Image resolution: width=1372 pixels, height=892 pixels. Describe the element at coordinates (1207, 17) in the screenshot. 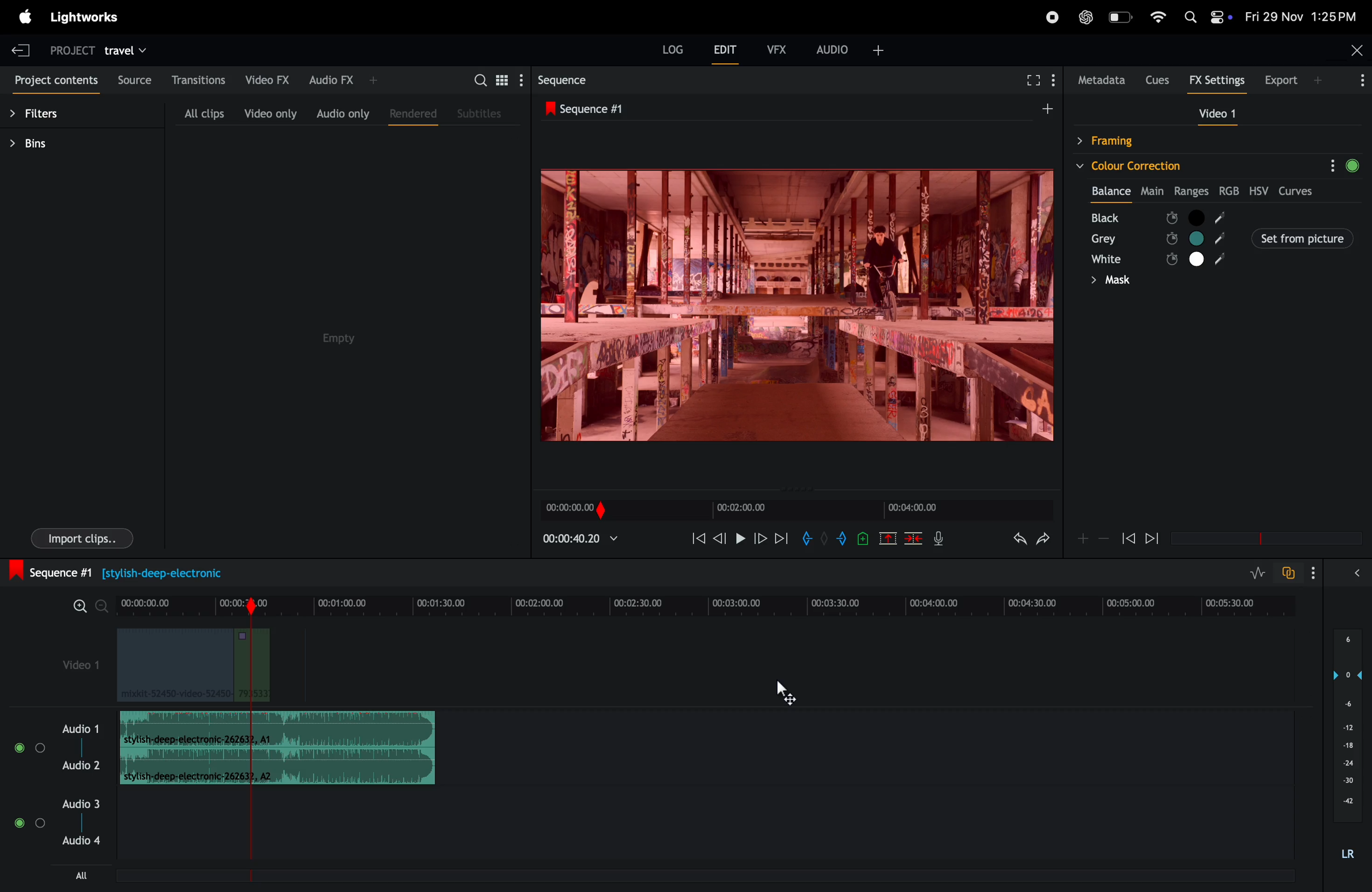

I see `apple widgets` at that location.